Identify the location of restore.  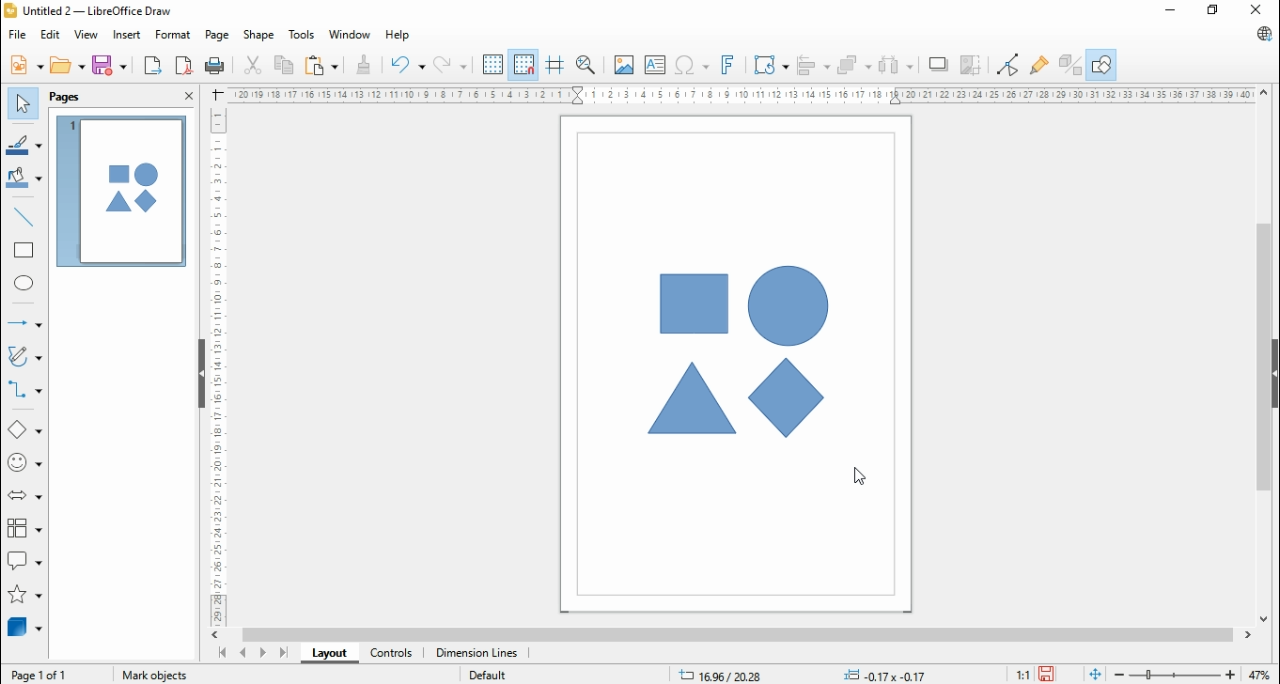
(1213, 10).